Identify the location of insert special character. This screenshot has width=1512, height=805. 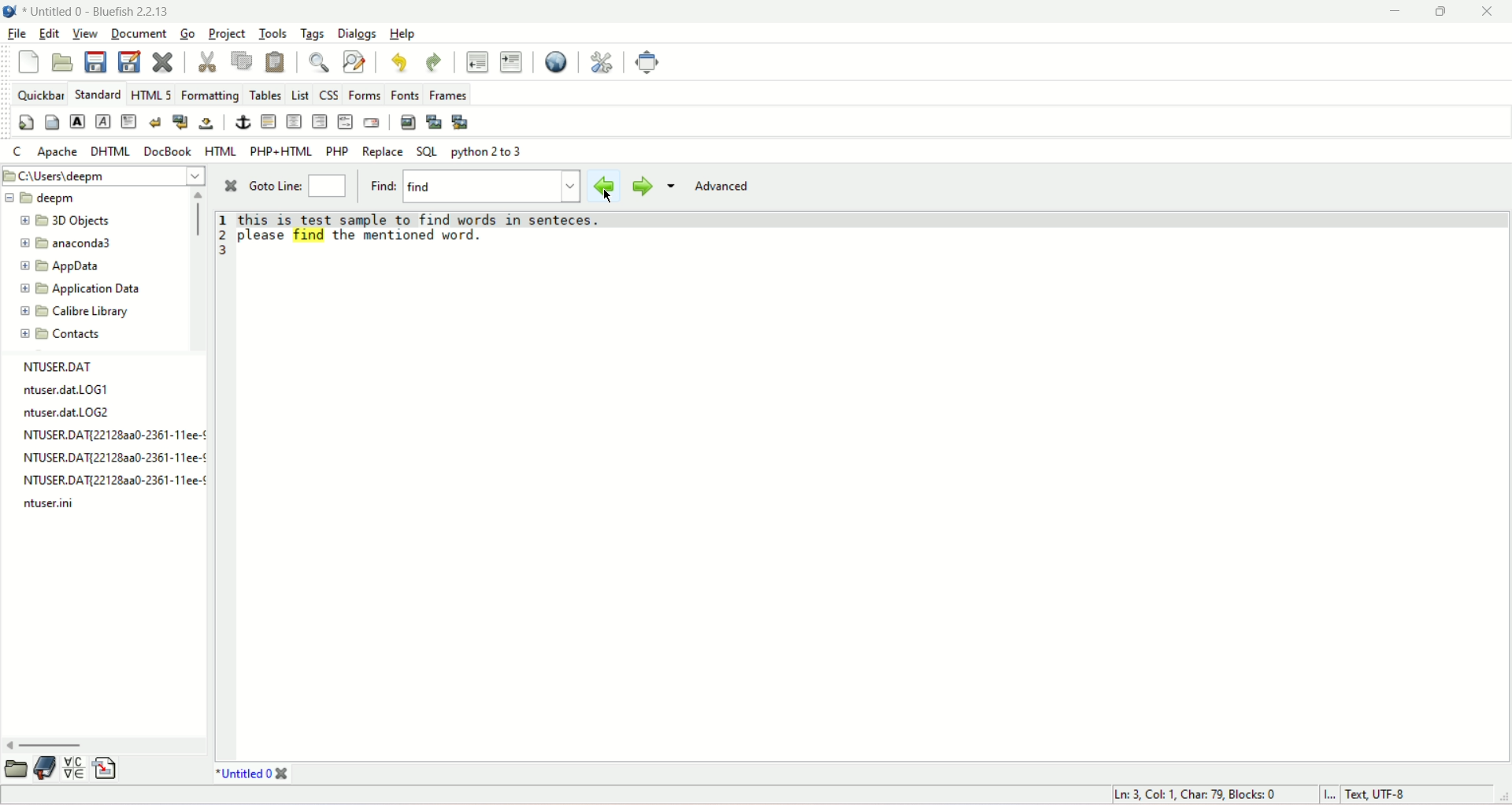
(76, 769).